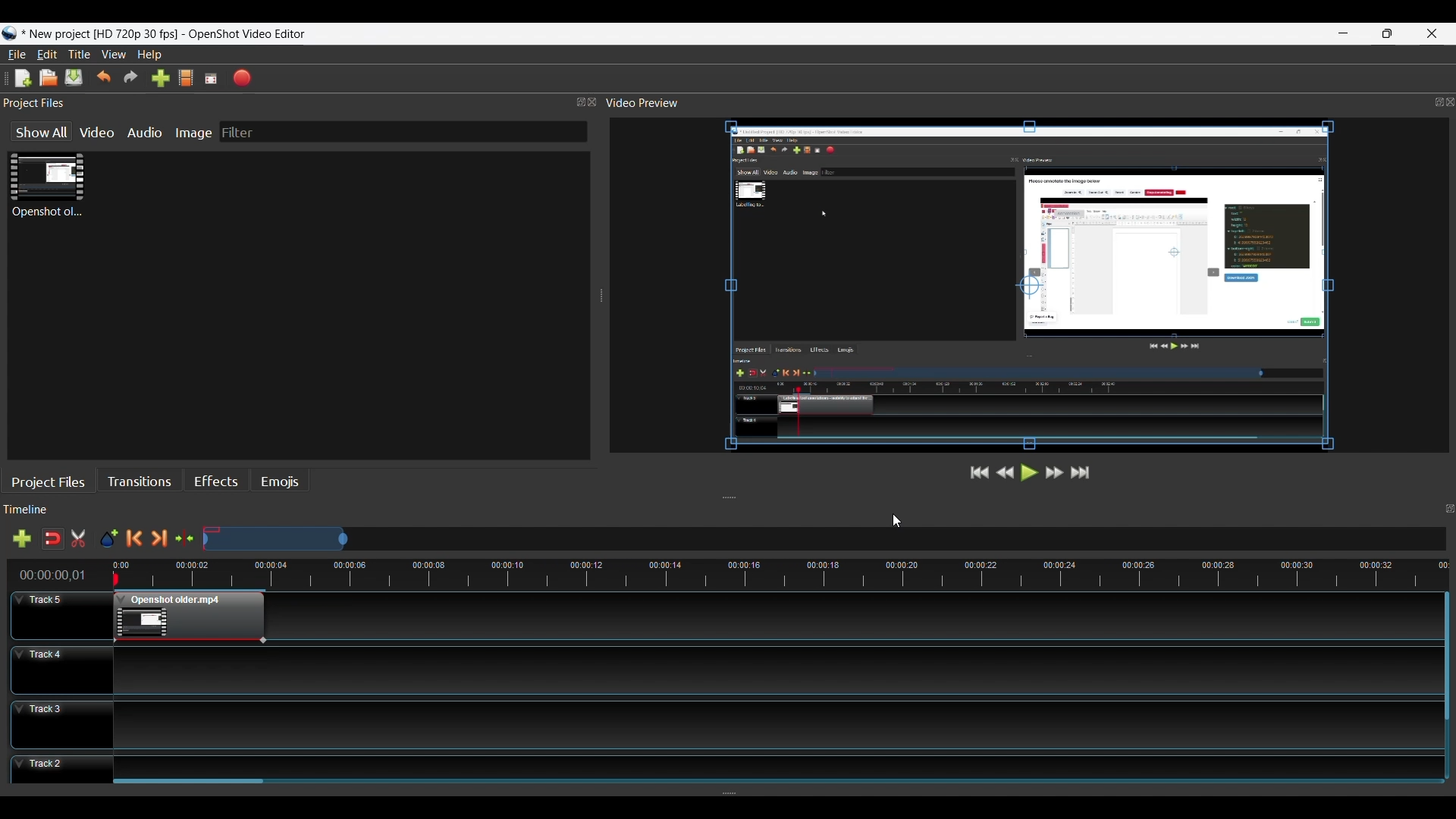  Describe the element at coordinates (81, 55) in the screenshot. I see `Title` at that location.